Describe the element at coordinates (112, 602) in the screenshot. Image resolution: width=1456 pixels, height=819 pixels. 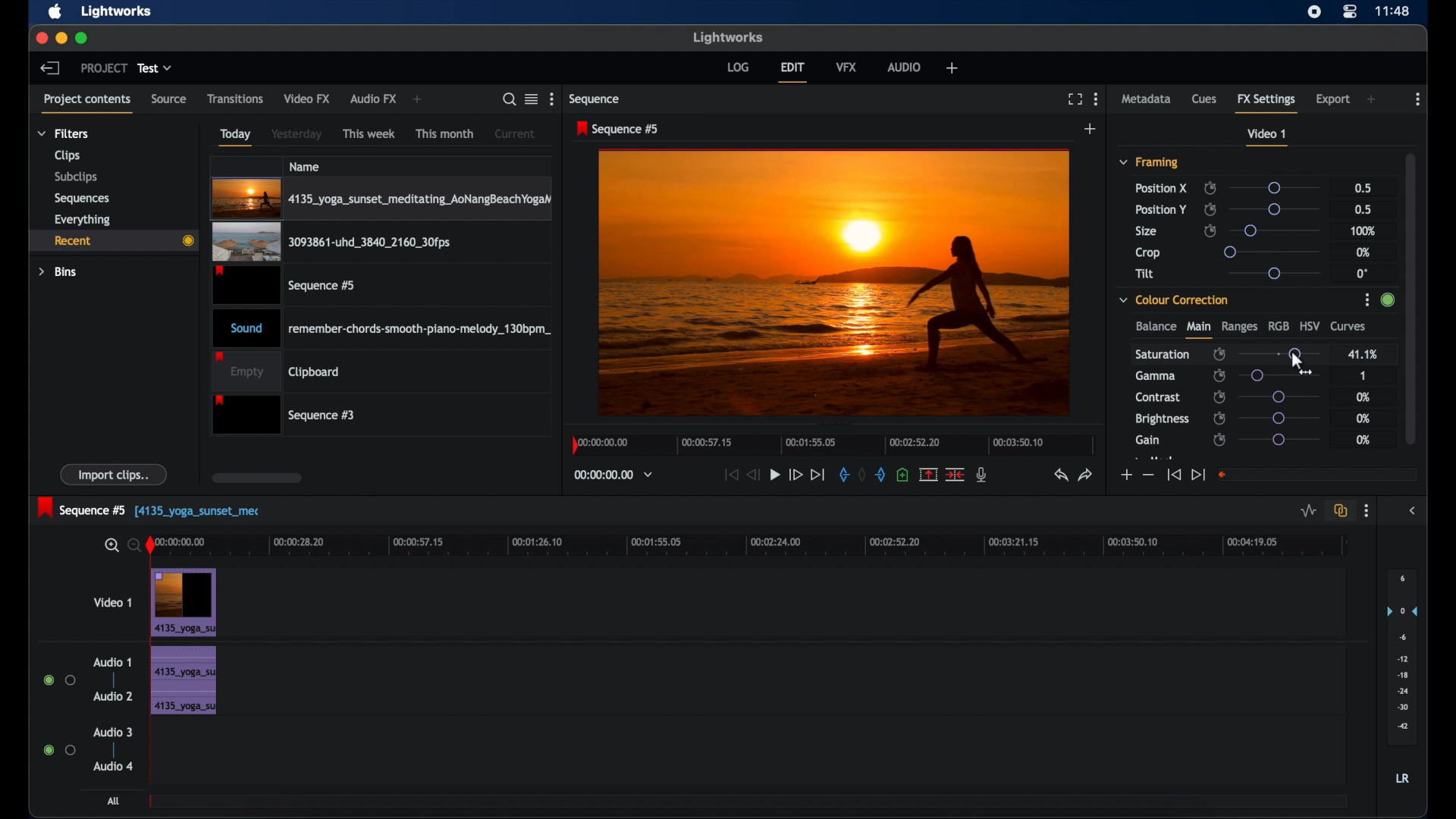
I see `video 1` at that location.